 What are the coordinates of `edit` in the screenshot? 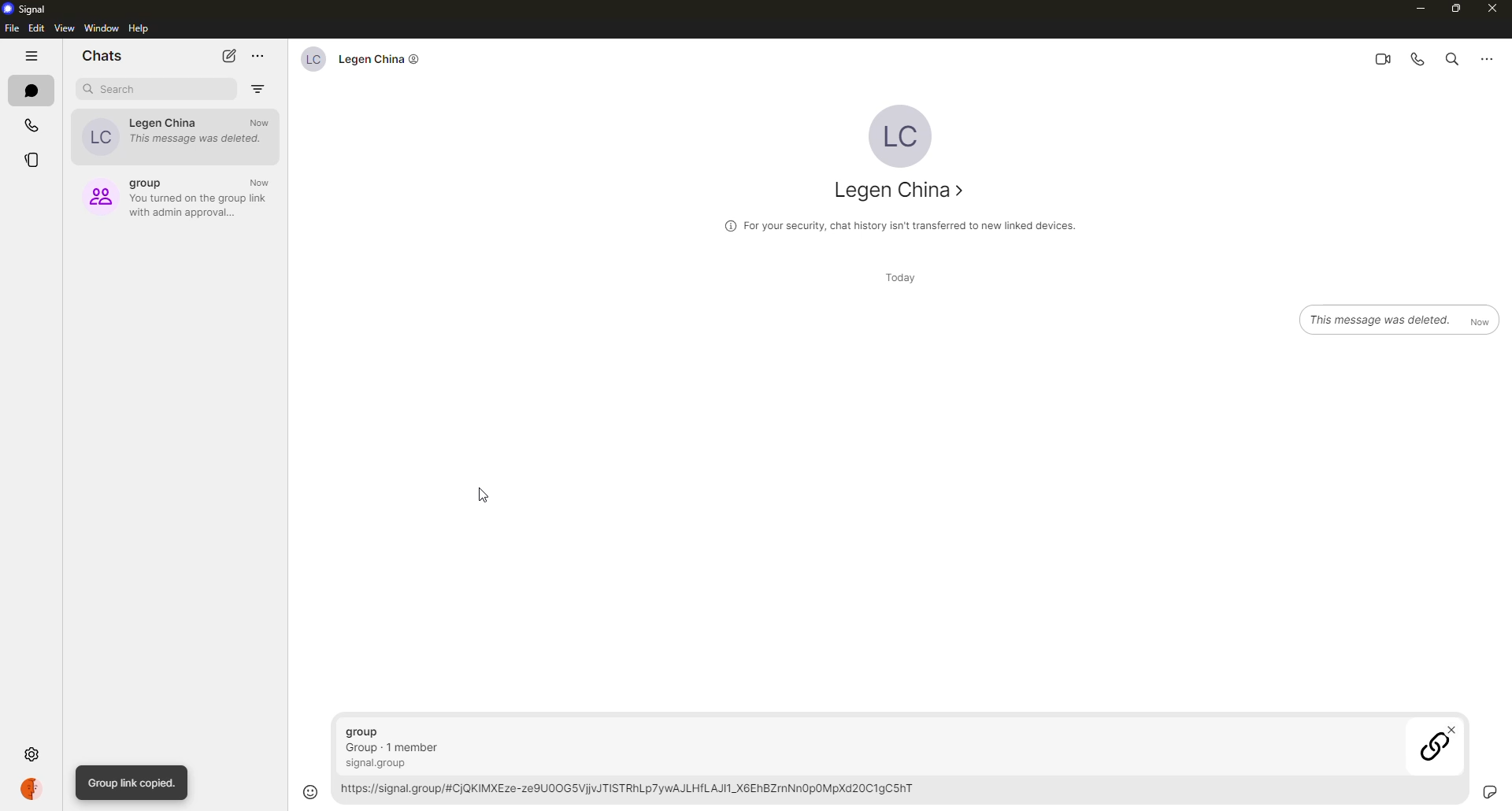 It's located at (36, 28).